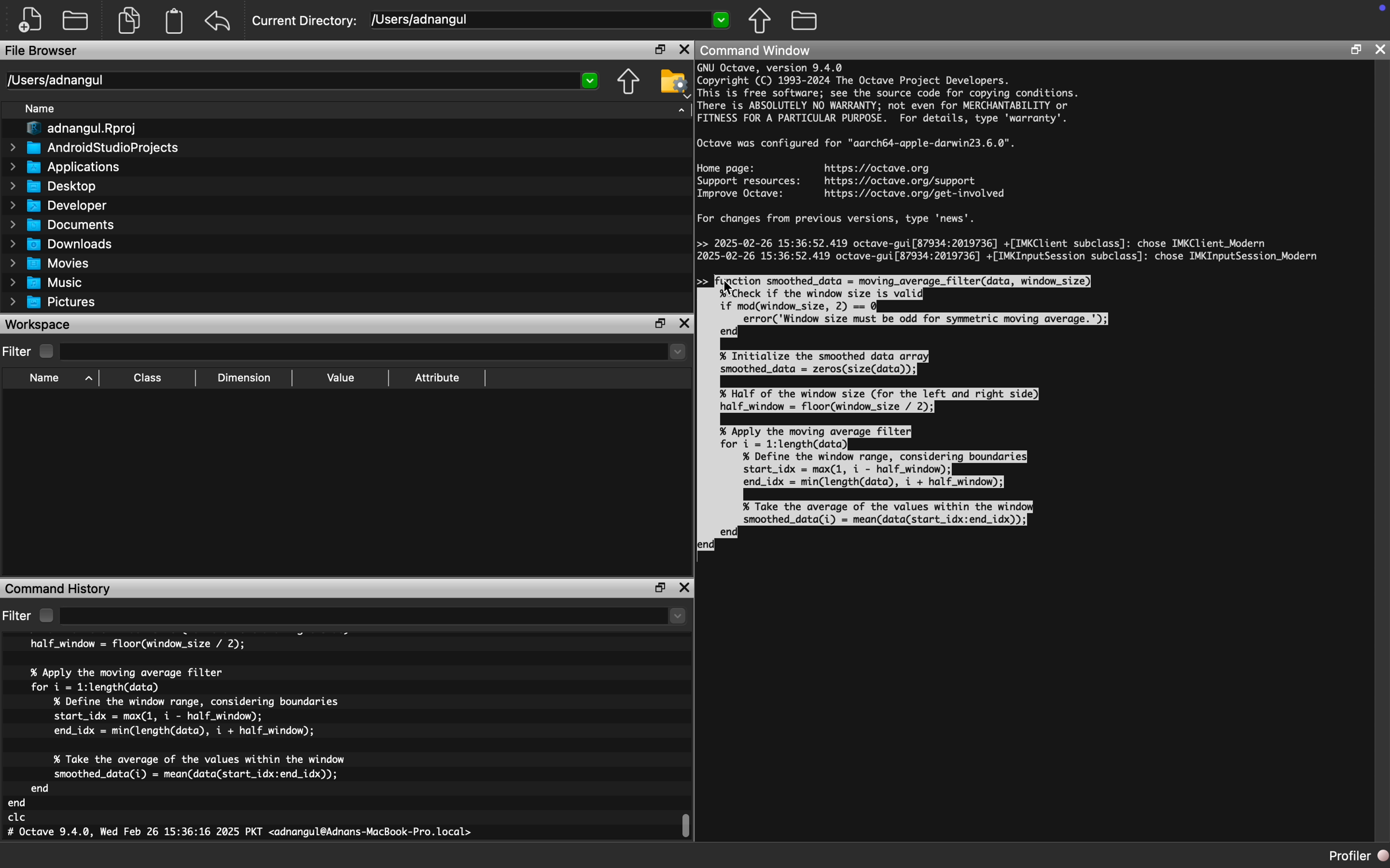 The image size is (1390, 868). Describe the element at coordinates (47, 615) in the screenshot. I see `Checkbox` at that location.